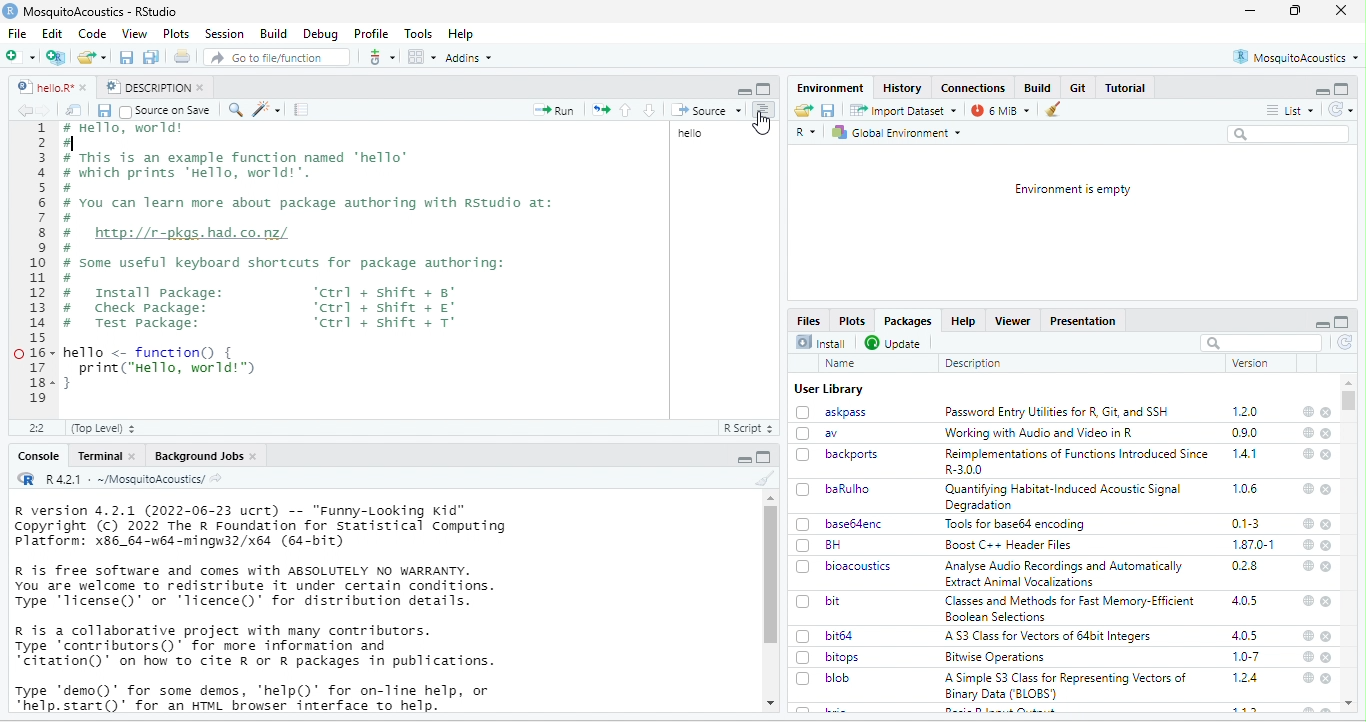 The height and width of the screenshot is (722, 1366). What do you see at coordinates (469, 57) in the screenshot?
I see `Addins` at bounding box center [469, 57].